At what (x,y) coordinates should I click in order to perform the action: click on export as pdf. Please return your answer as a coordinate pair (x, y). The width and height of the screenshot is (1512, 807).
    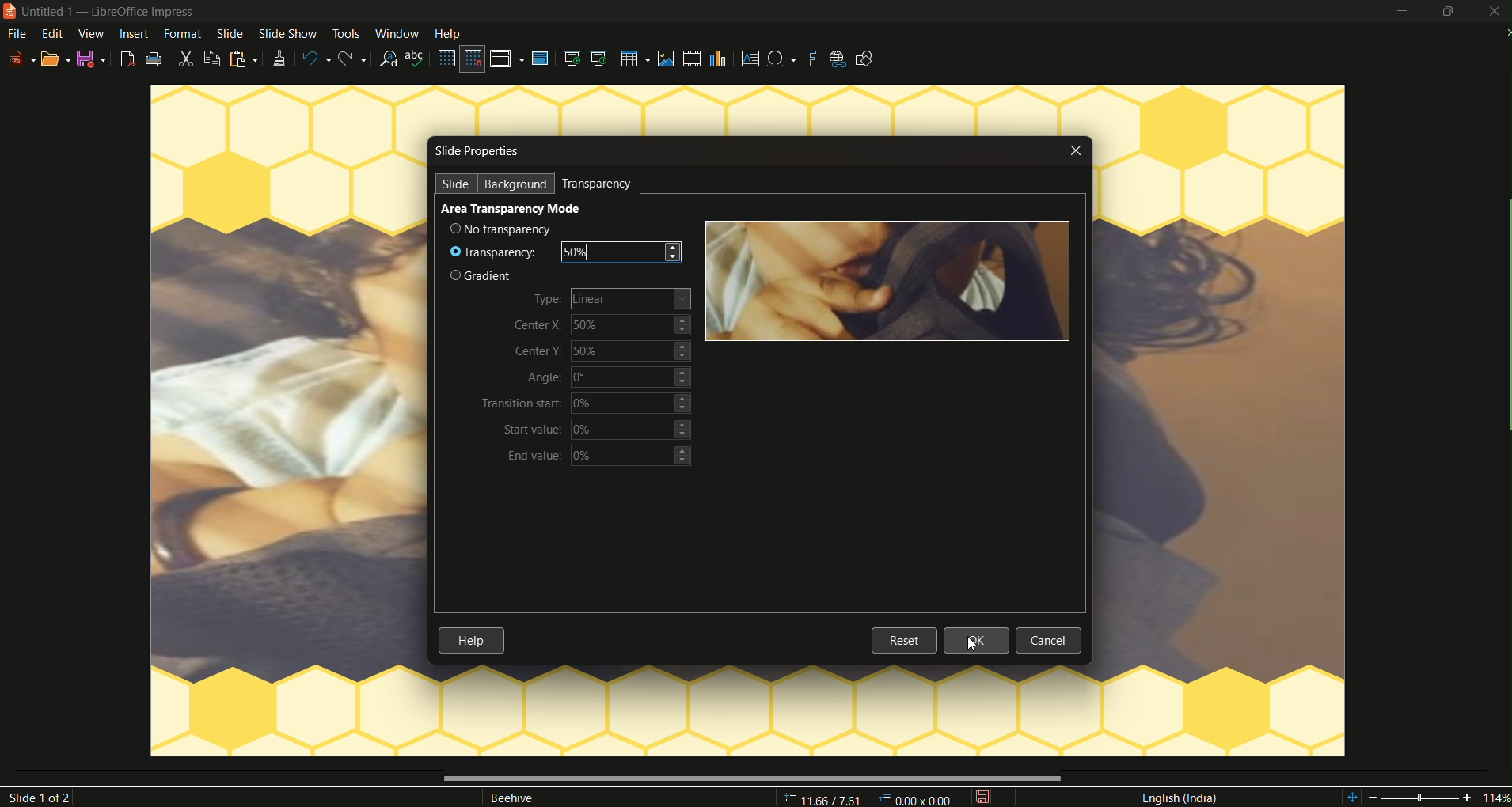
    Looking at the image, I should click on (127, 59).